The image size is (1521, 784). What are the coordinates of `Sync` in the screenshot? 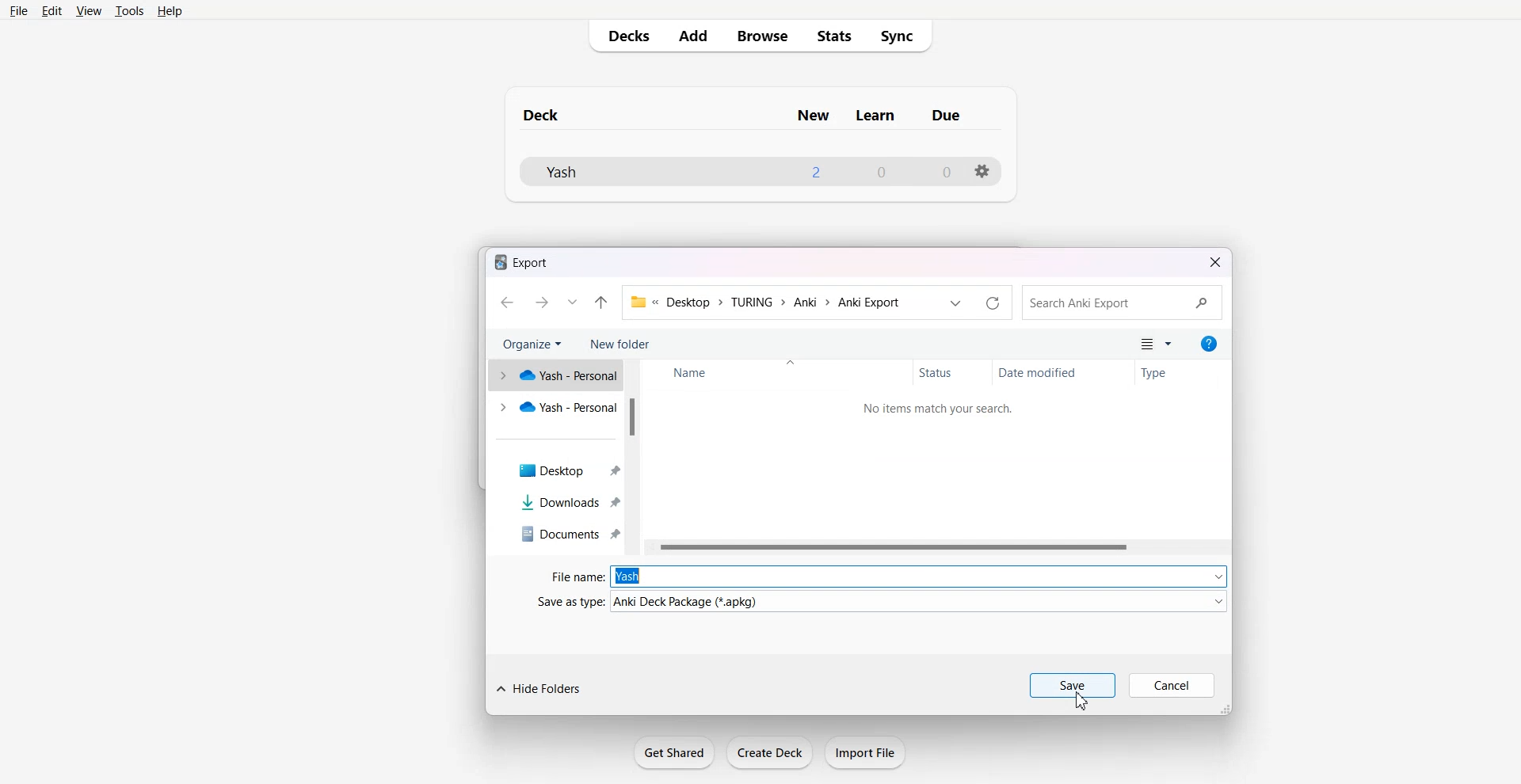 It's located at (902, 36).